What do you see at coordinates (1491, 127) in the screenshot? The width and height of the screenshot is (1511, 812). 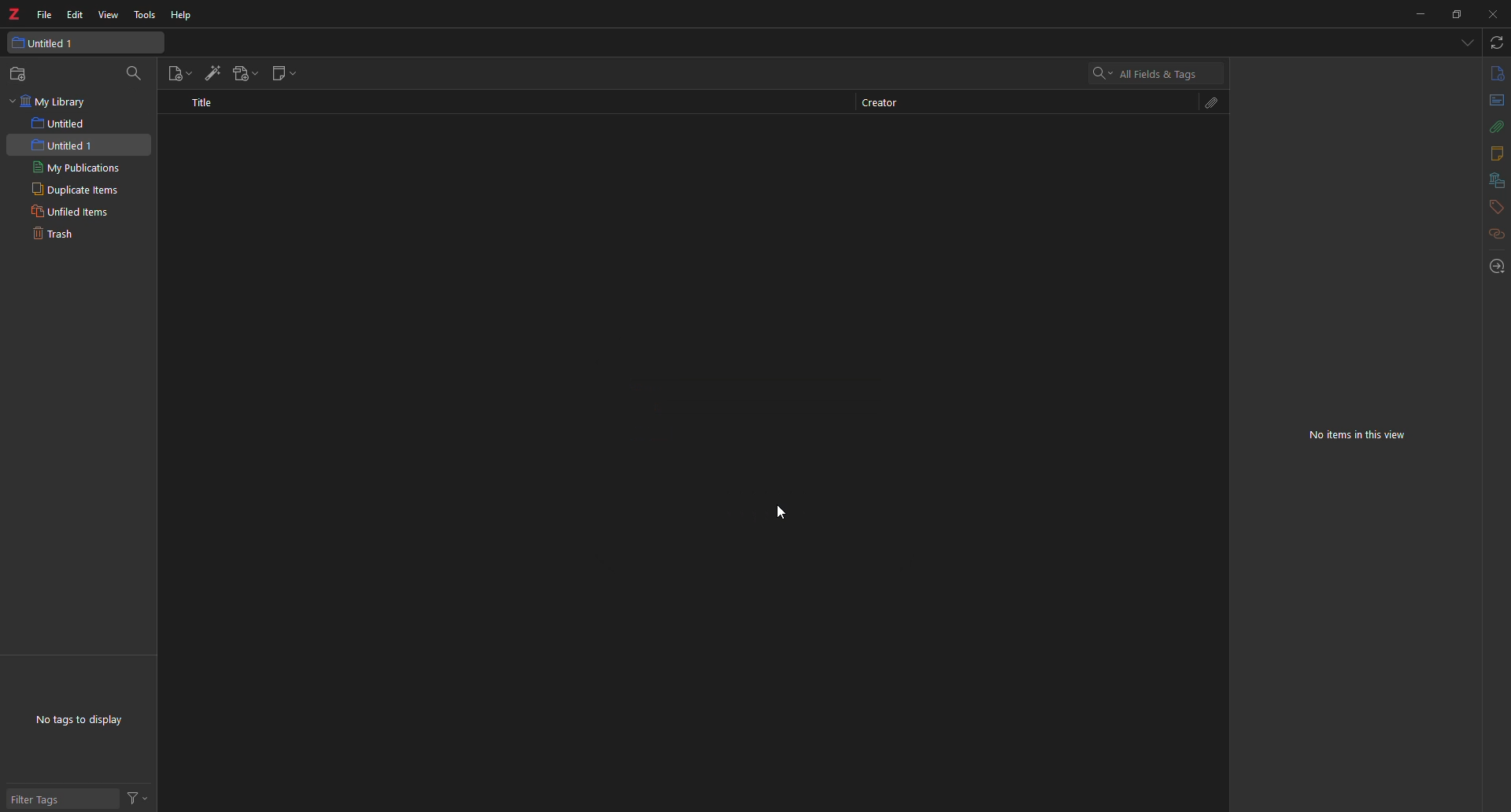 I see `attach` at bounding box center [1491, 127].